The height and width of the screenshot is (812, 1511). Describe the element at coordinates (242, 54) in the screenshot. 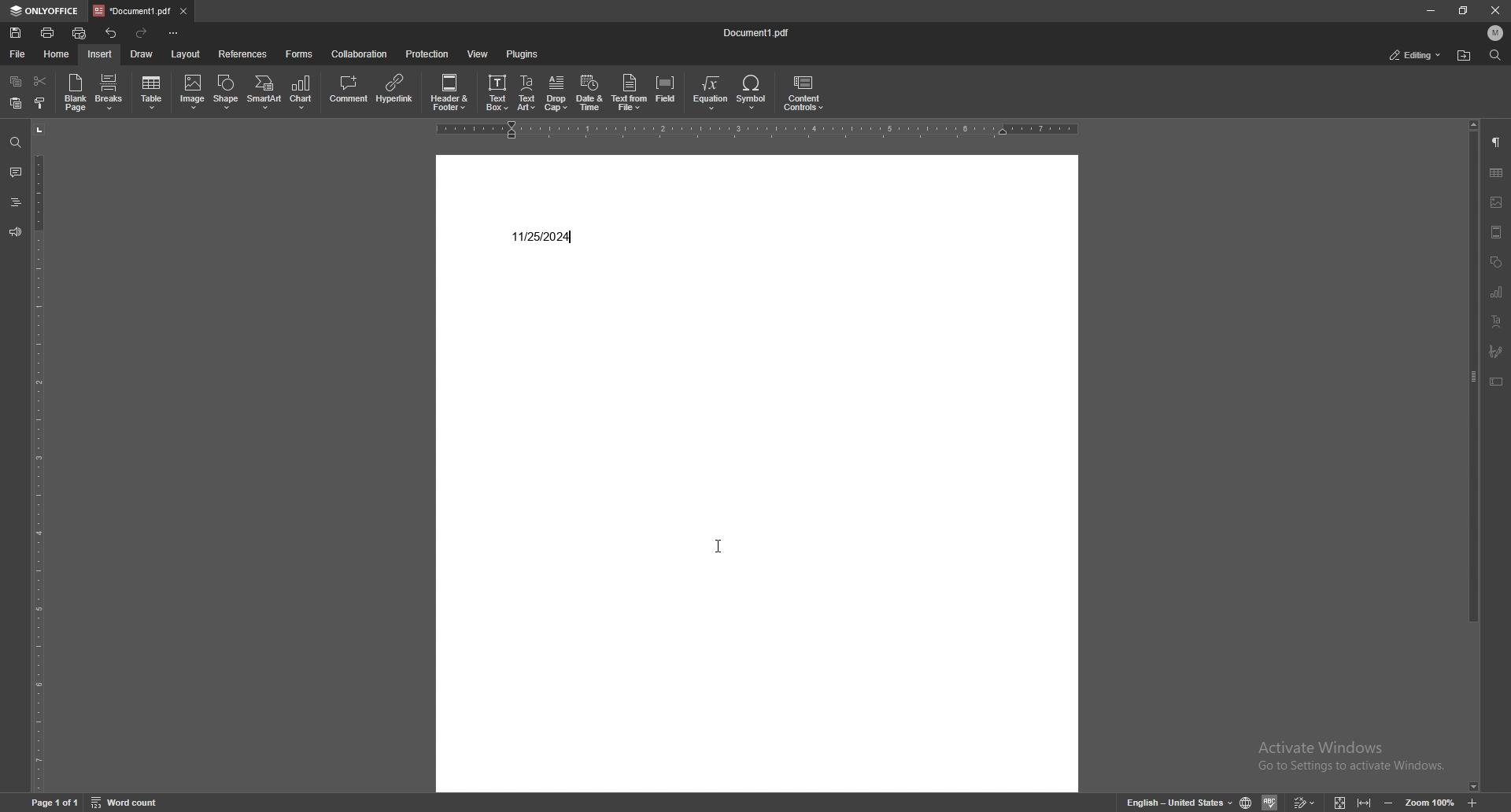

I see `references` at that location.